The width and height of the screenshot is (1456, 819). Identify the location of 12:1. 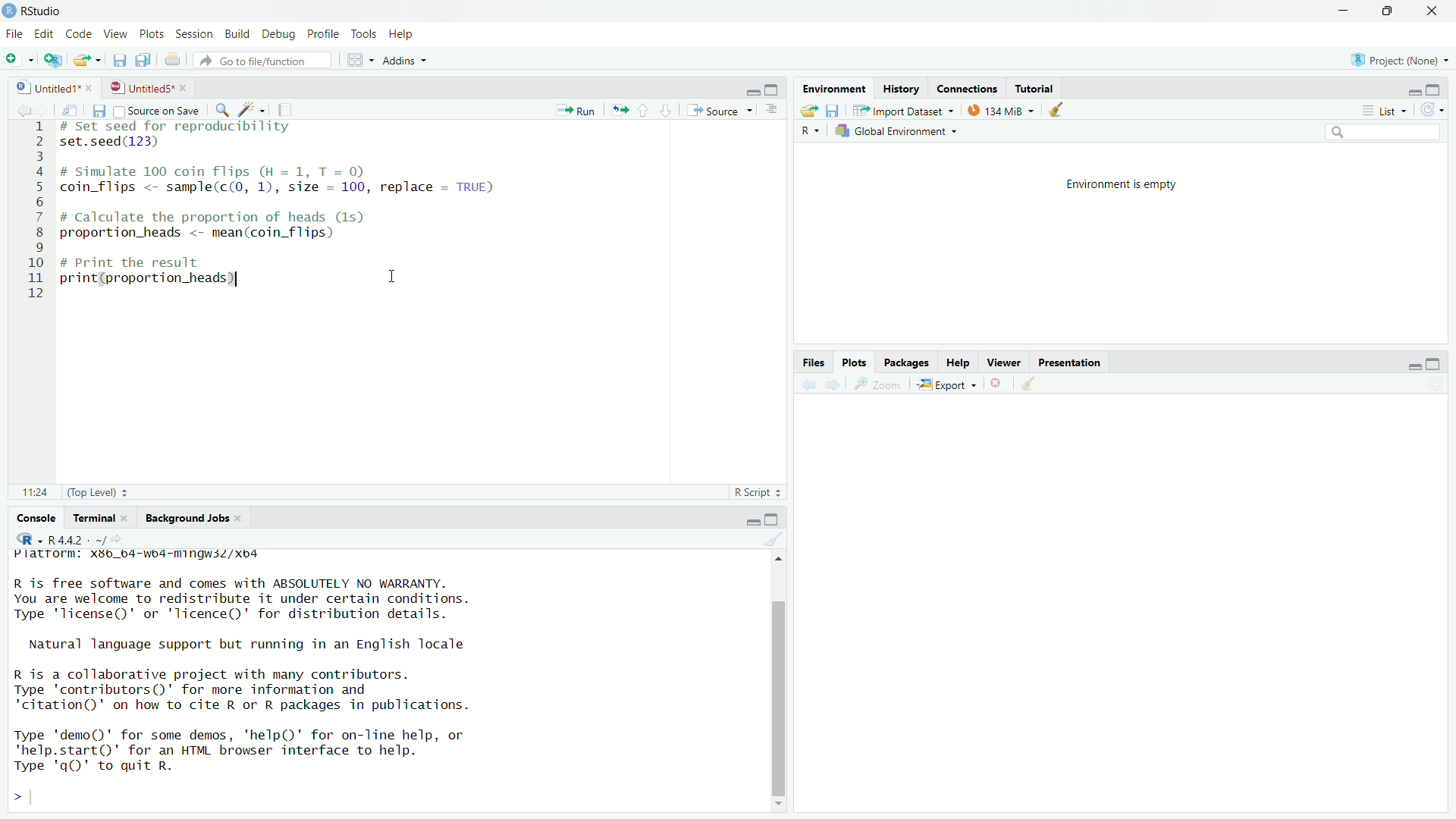
(33, 493).